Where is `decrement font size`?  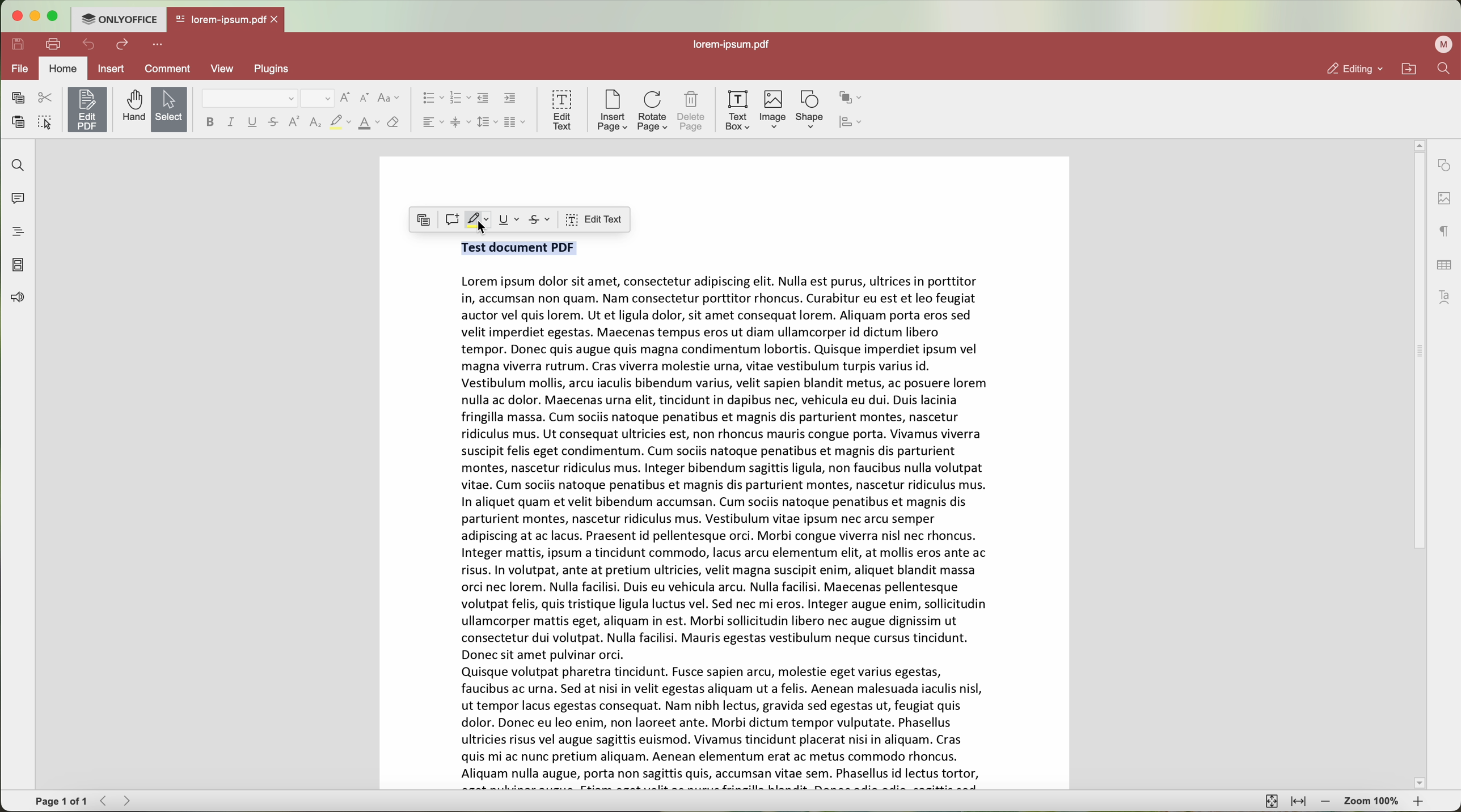 decrement font size is located at coordinates (366, 98).